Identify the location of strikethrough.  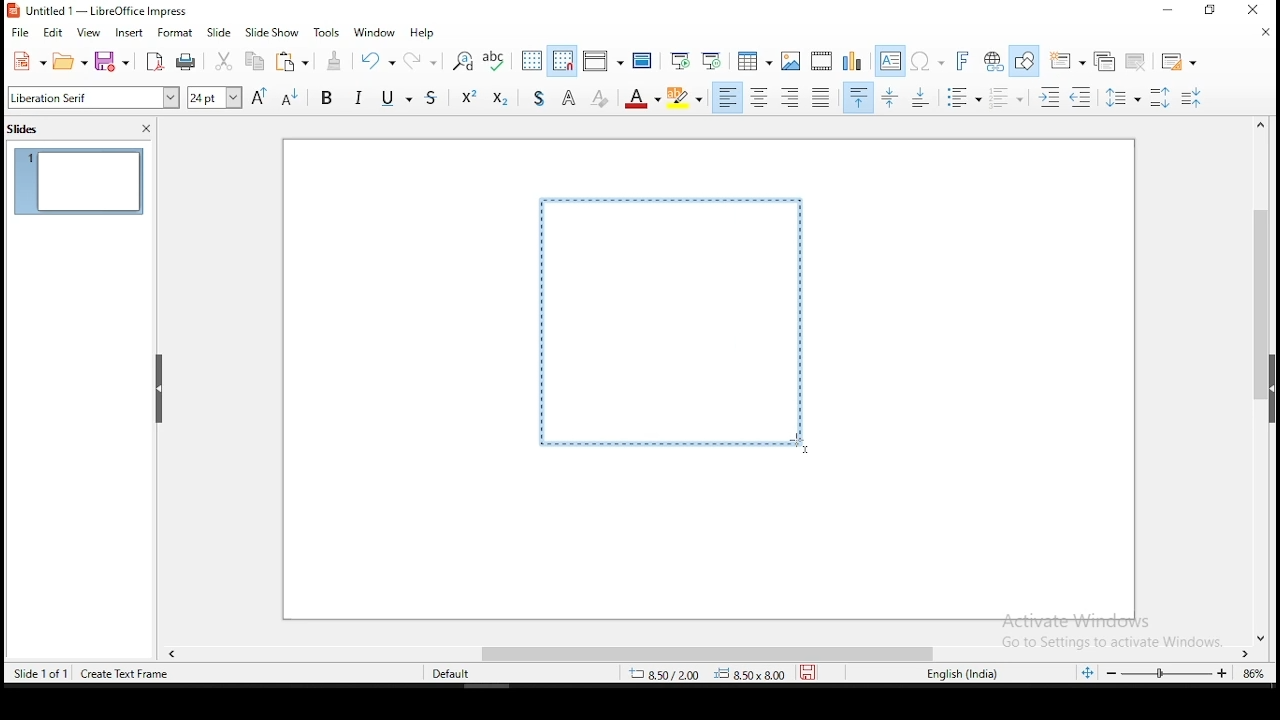
(421, 99).